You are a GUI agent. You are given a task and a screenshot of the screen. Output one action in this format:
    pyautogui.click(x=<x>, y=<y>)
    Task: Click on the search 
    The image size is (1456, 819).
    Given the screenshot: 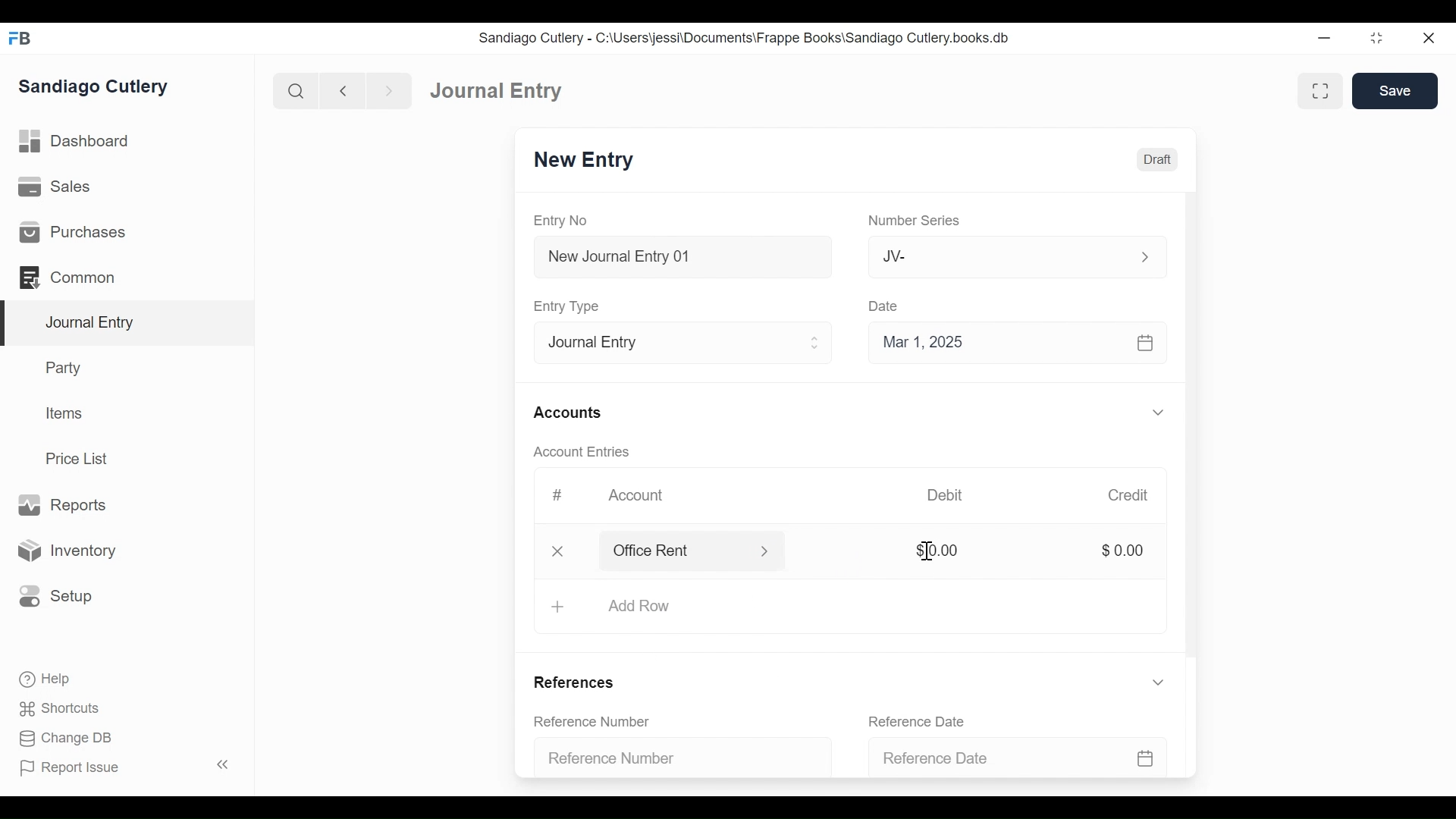 What is the action you would take?
    pyautogui.click(x=293, y=88)
    